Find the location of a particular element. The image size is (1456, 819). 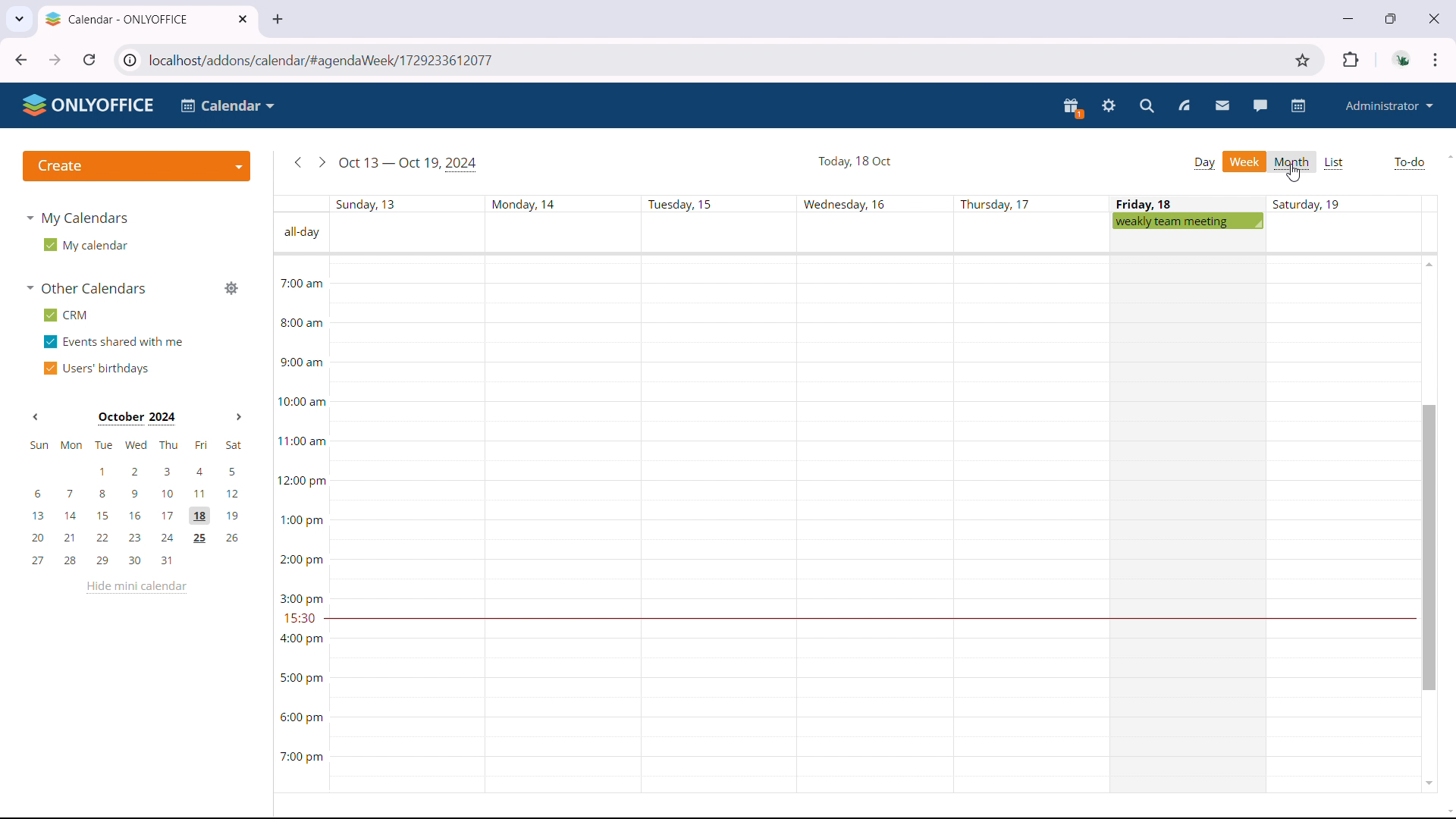

manage is located at coordinates (231, 287).